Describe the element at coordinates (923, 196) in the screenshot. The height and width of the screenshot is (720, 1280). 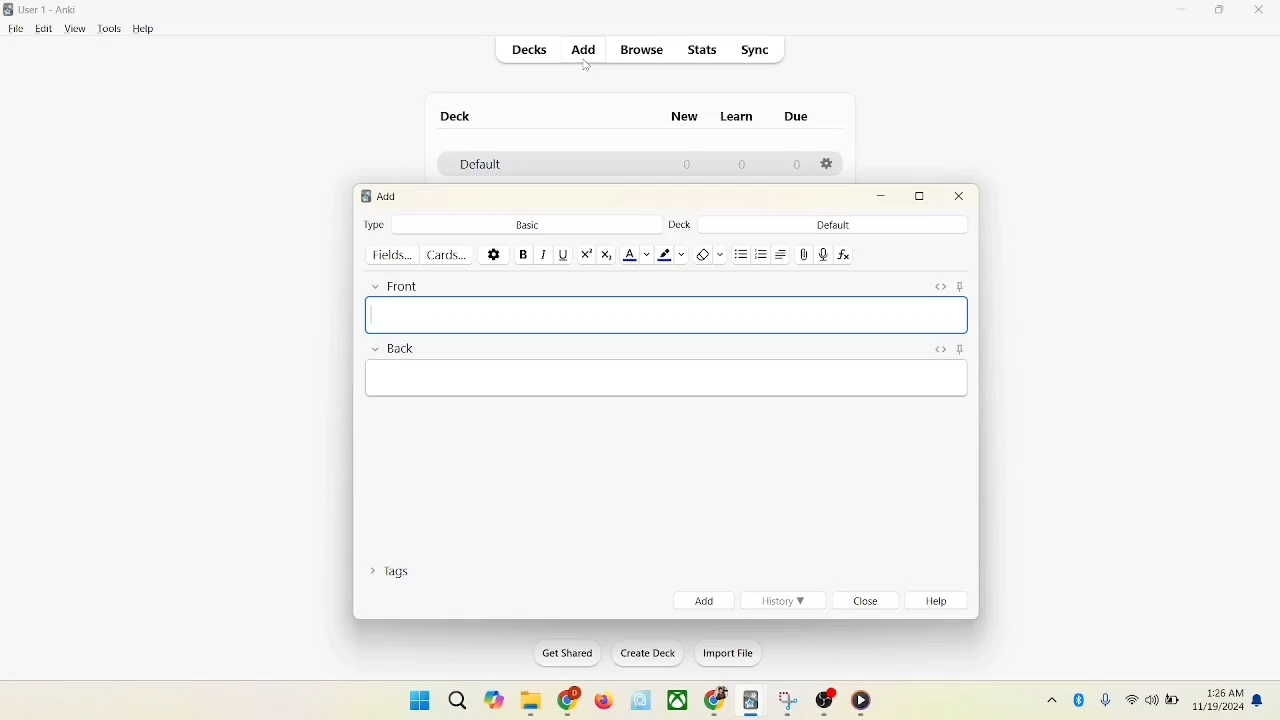
I see `maximum` at that location.